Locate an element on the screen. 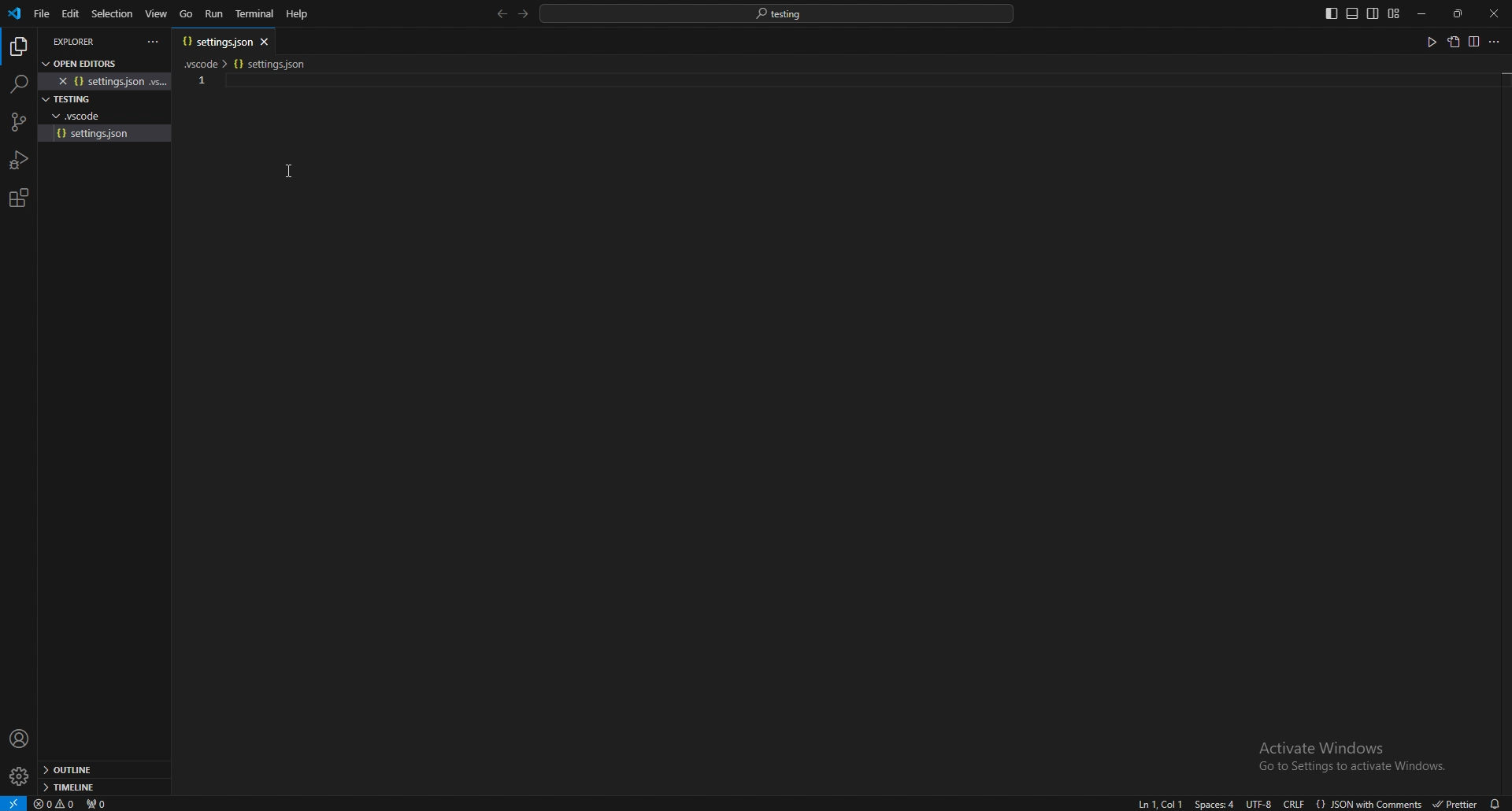 This screenshot has height=811, width=1512. selection is located at coordinates (112, 13).